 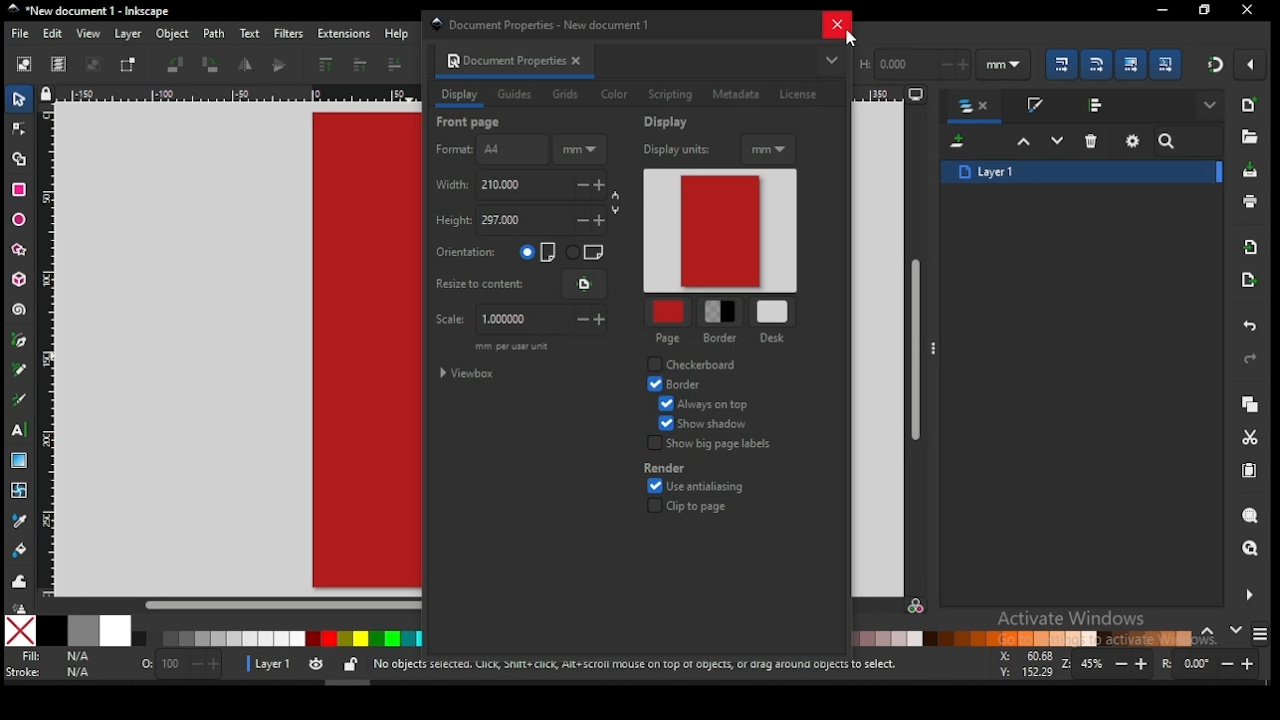 What do you see at coordinates (548, 24) in the screenshot?
I see `document properties window` at bounding box center [548, 24].